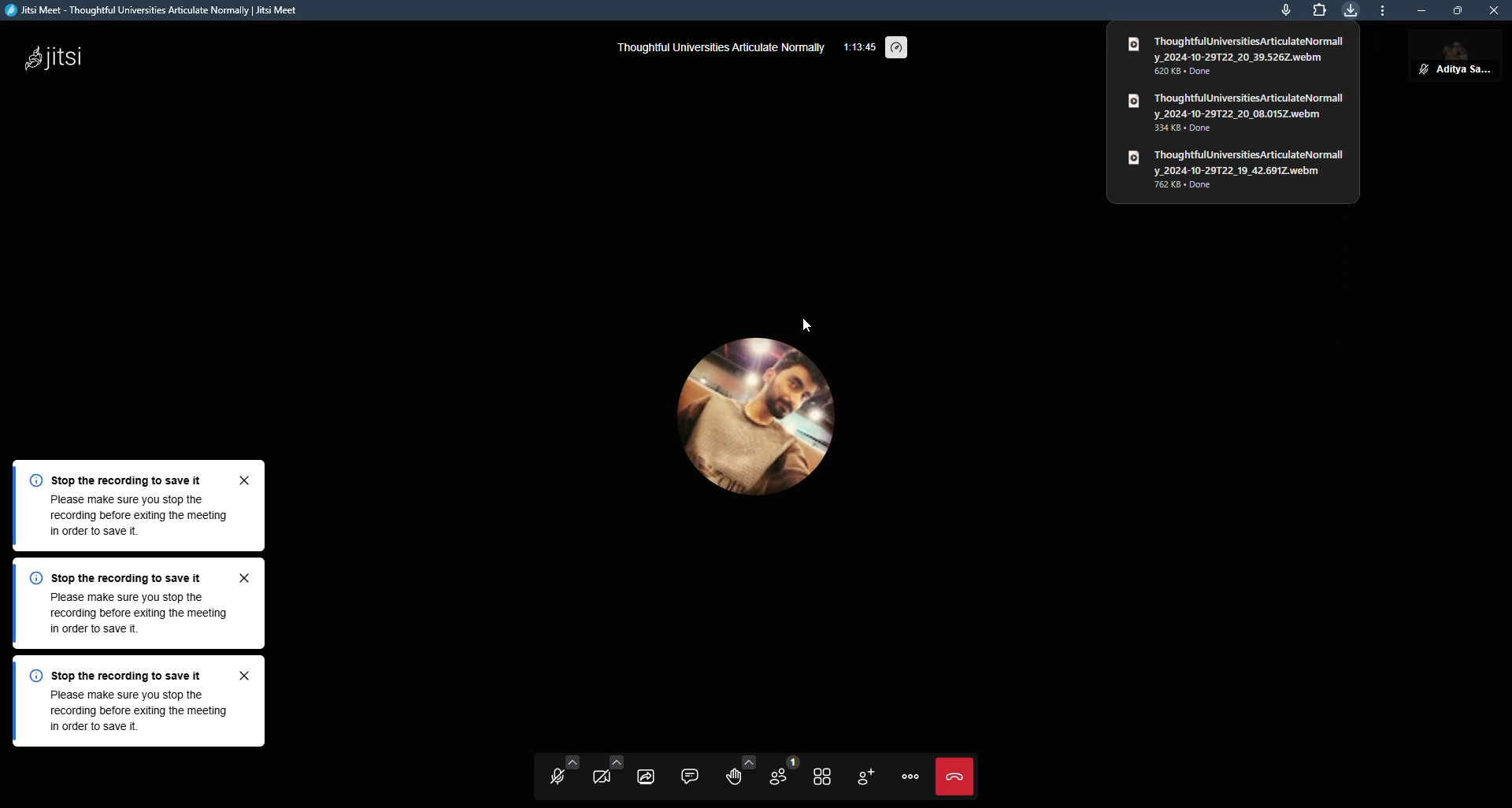 This screenshot has height=808, width=1512. What do you see at coordinates (1284, 12) in the screenshot?
I see `mic` at bounding box center [1284, 12].